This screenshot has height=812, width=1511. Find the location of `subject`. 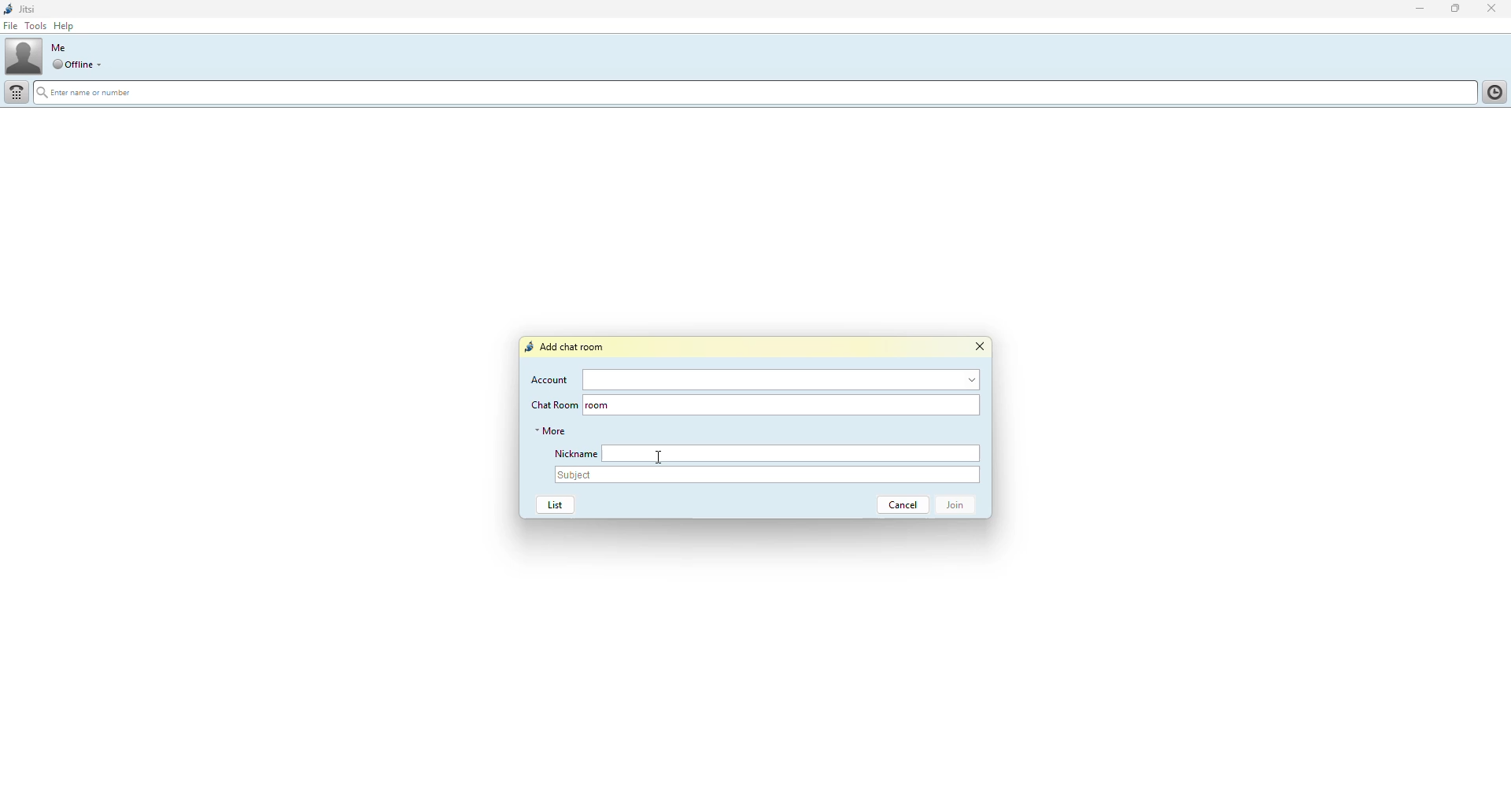

subject is located at coordinates (768, 476).